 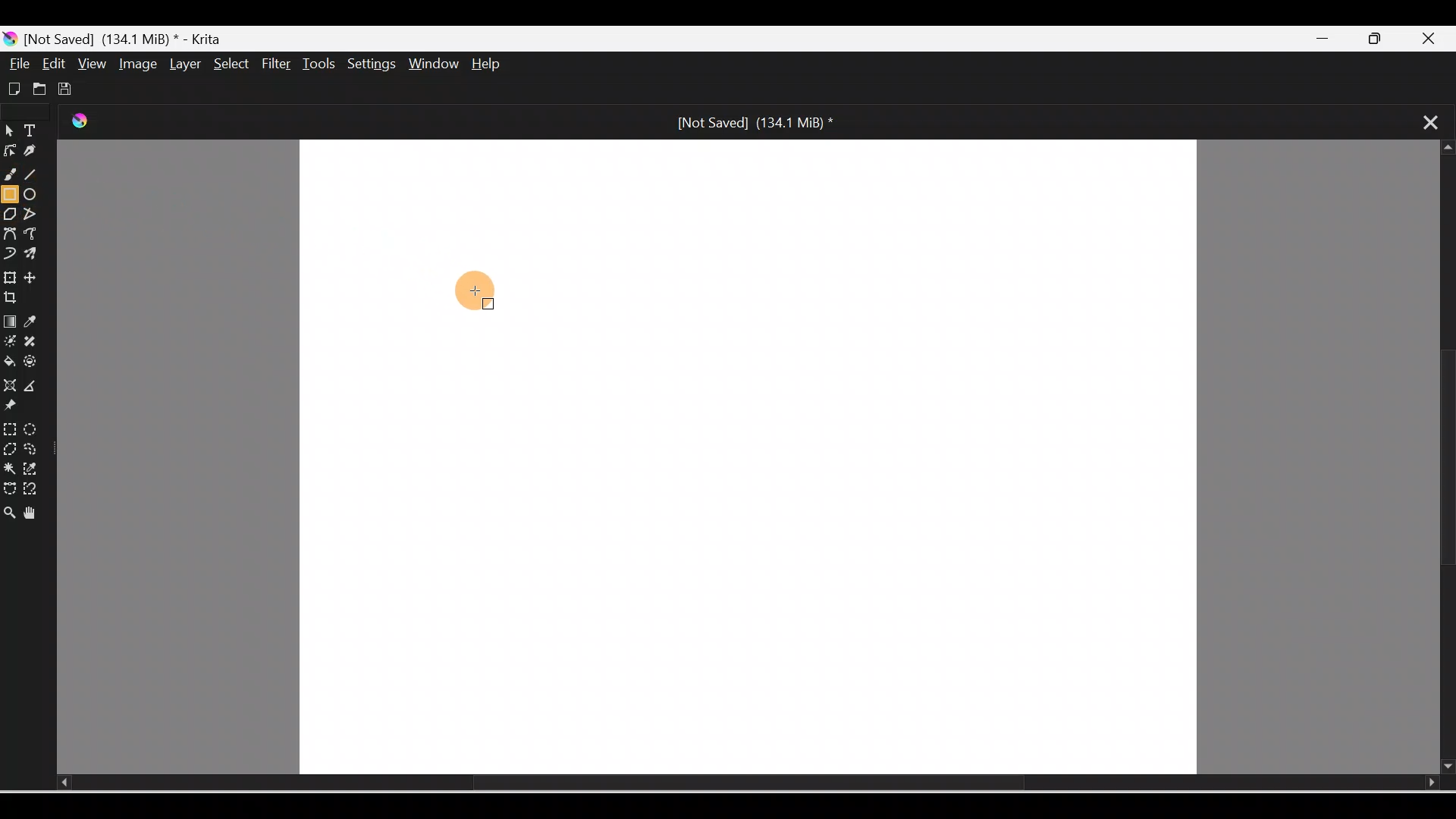 I want to click on Filter, so click(x=277, y=64).